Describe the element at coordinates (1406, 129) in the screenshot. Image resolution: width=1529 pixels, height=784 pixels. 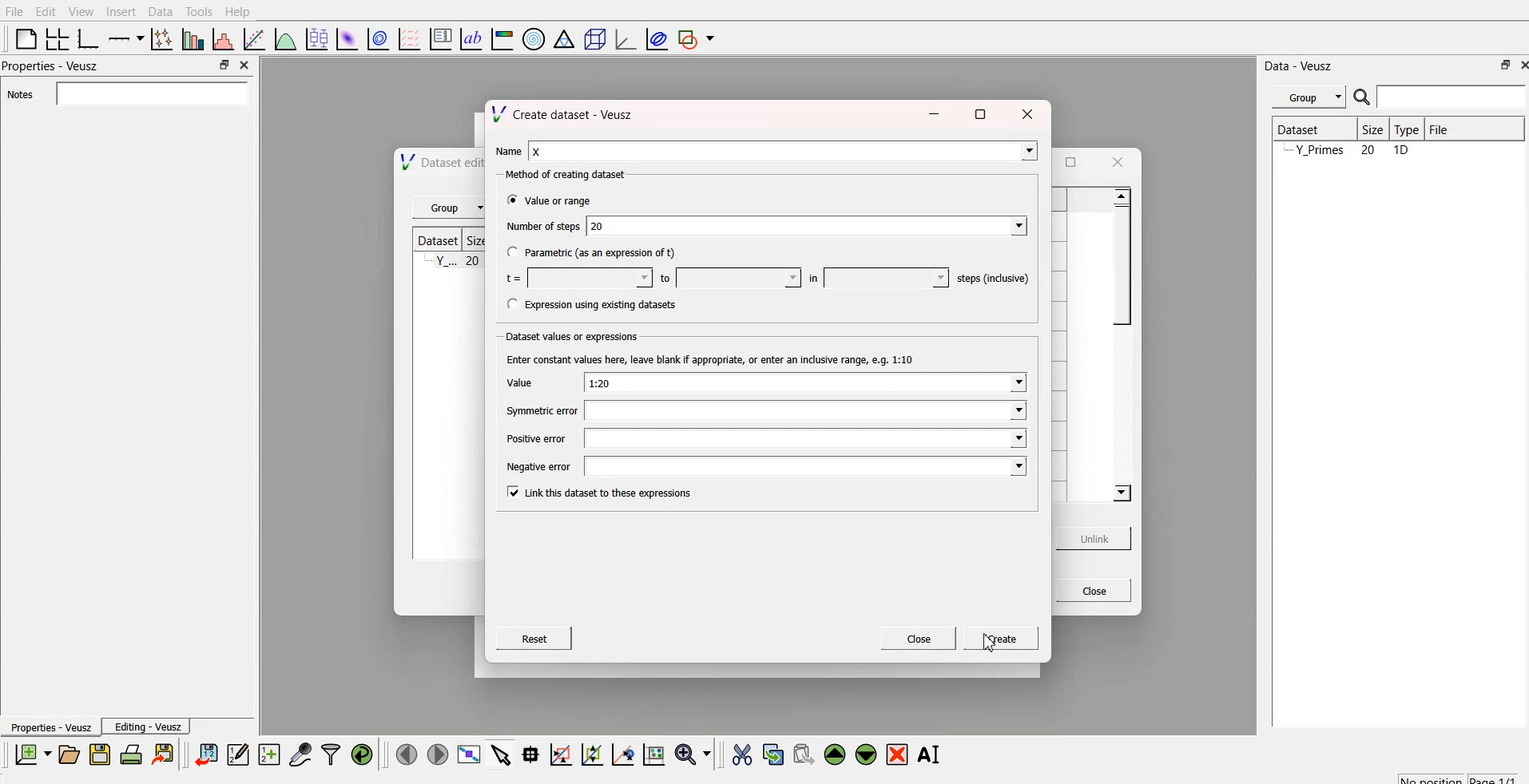
I see `Type` at that location.